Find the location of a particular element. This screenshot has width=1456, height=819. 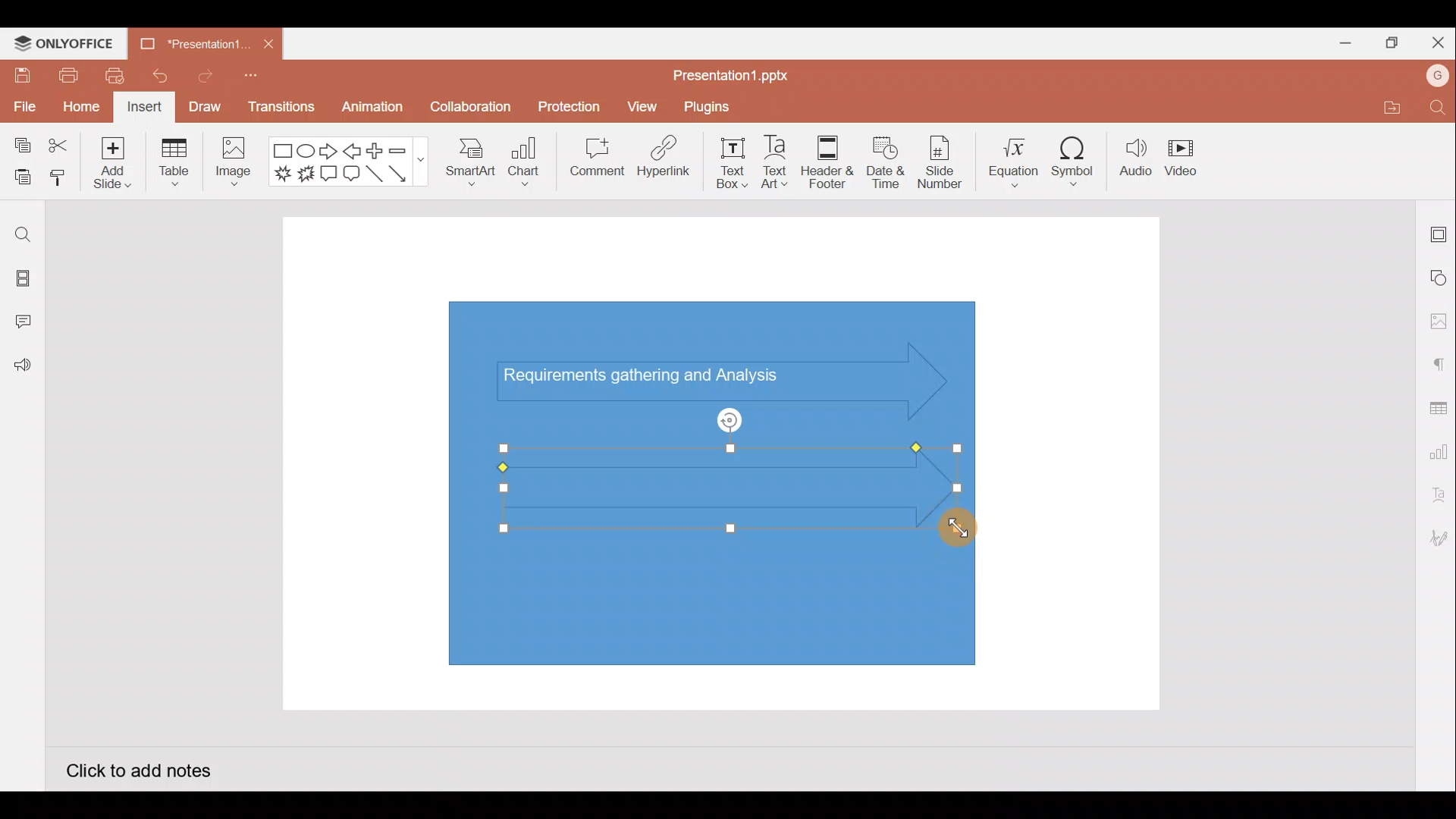

SmartArt is located at coordinates (469, 159).